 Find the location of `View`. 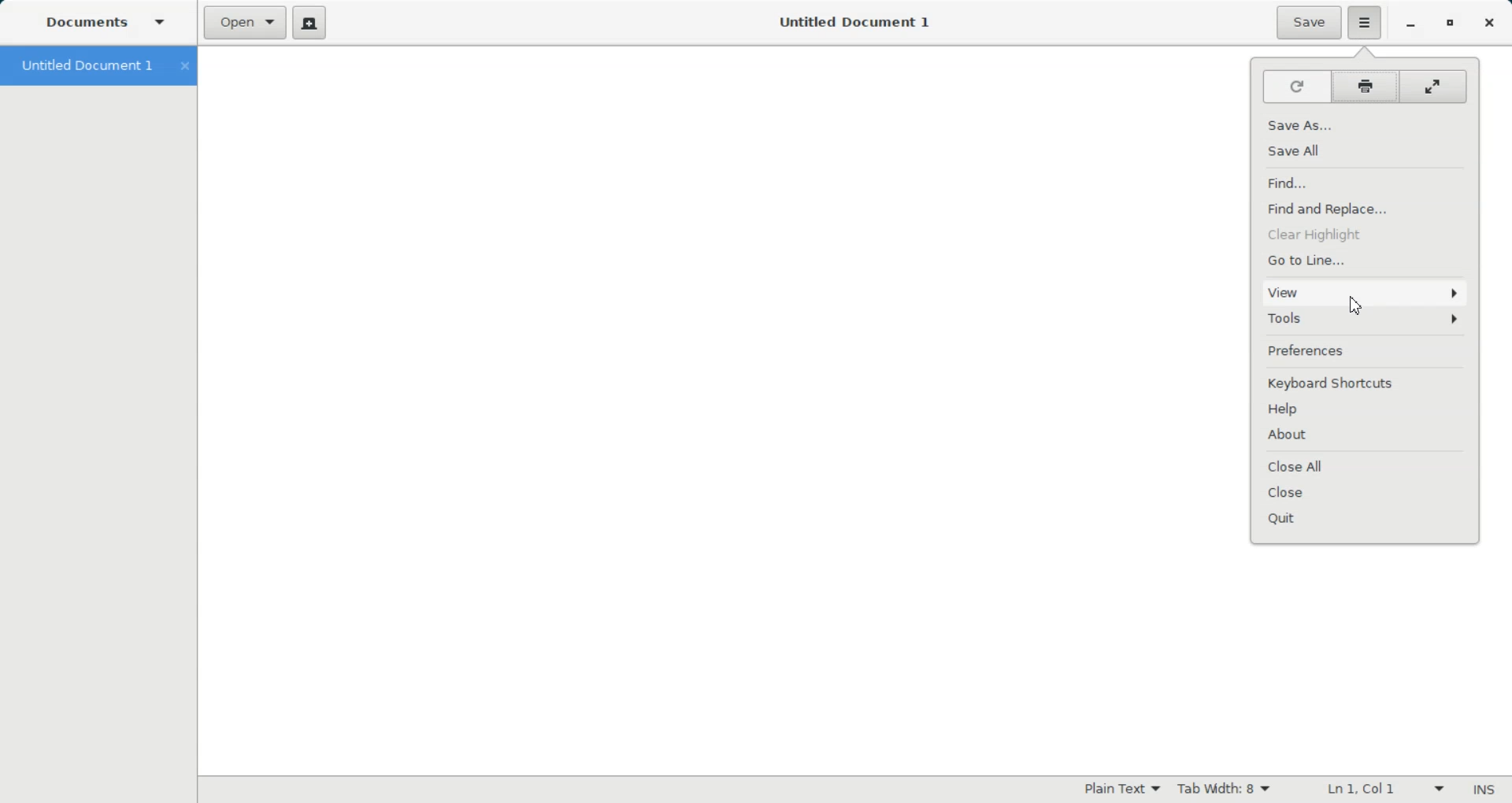

View is located at coordinates (1363, 290).